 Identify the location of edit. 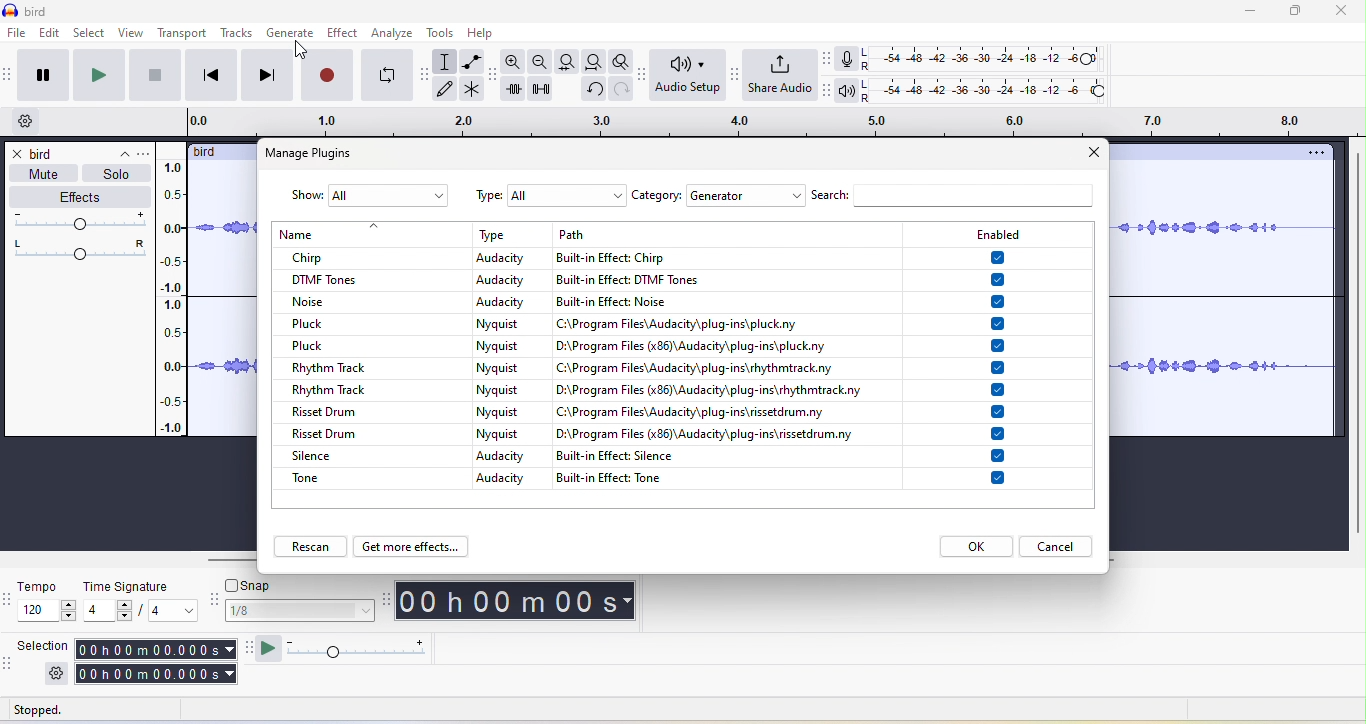
(54, 35).